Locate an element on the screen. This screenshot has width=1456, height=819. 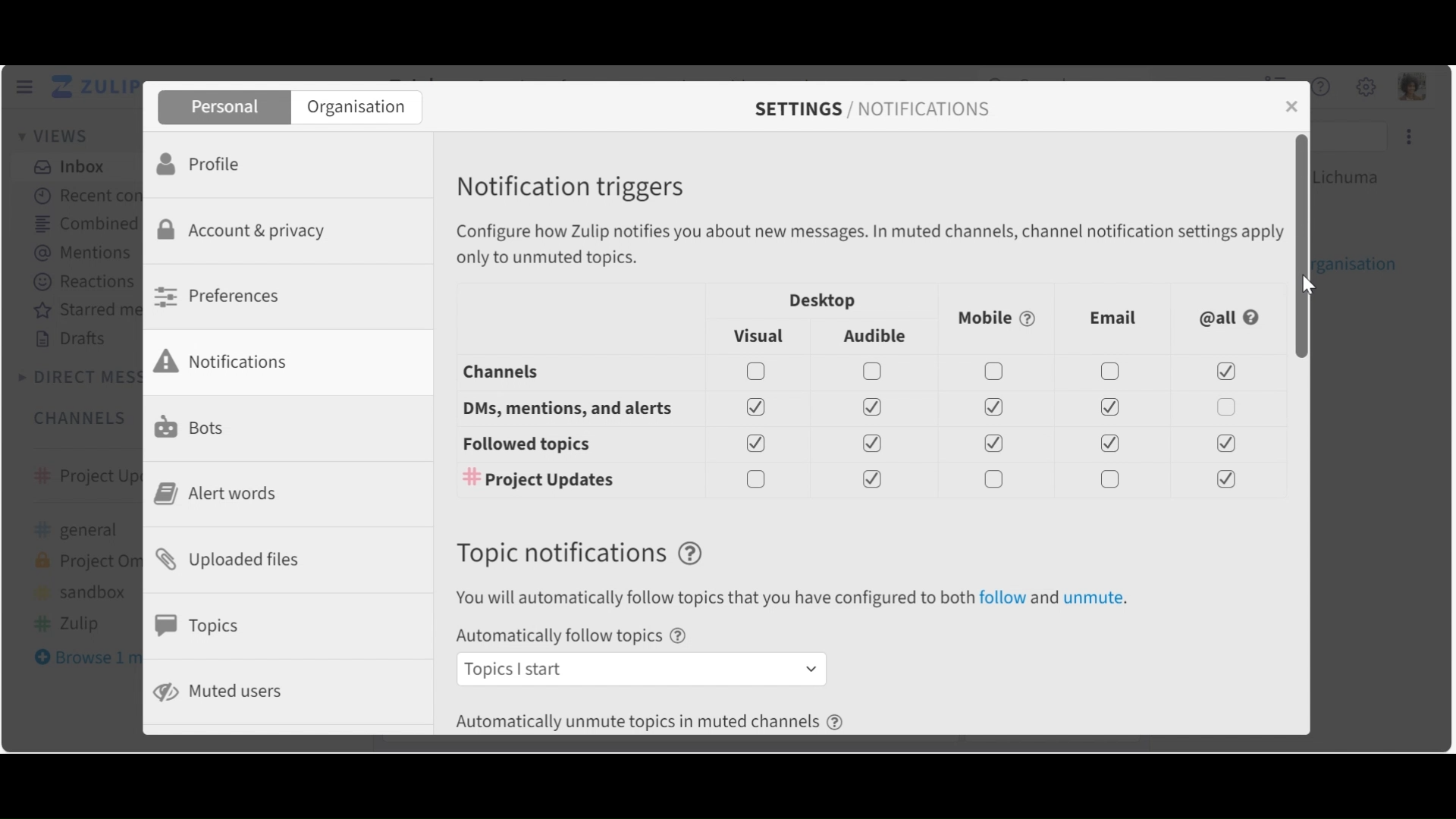
Automatically unmute topics in muted channels is located at coordinates (657, 723).